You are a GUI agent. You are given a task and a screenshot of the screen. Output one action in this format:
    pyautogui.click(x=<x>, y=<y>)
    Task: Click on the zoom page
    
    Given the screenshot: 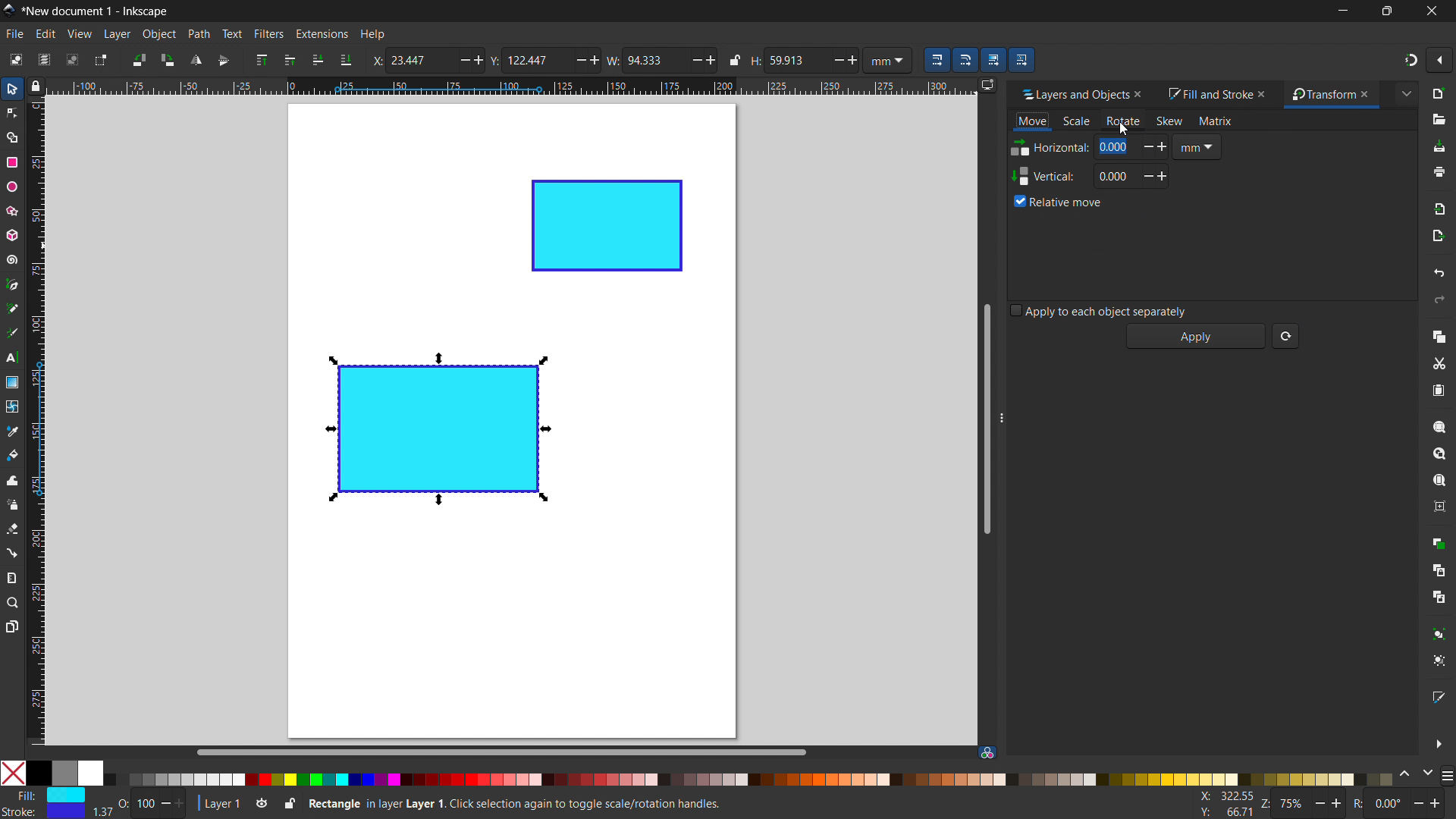 What is the action you would take?
    pyautogui.click(x=1439, y=481)
    